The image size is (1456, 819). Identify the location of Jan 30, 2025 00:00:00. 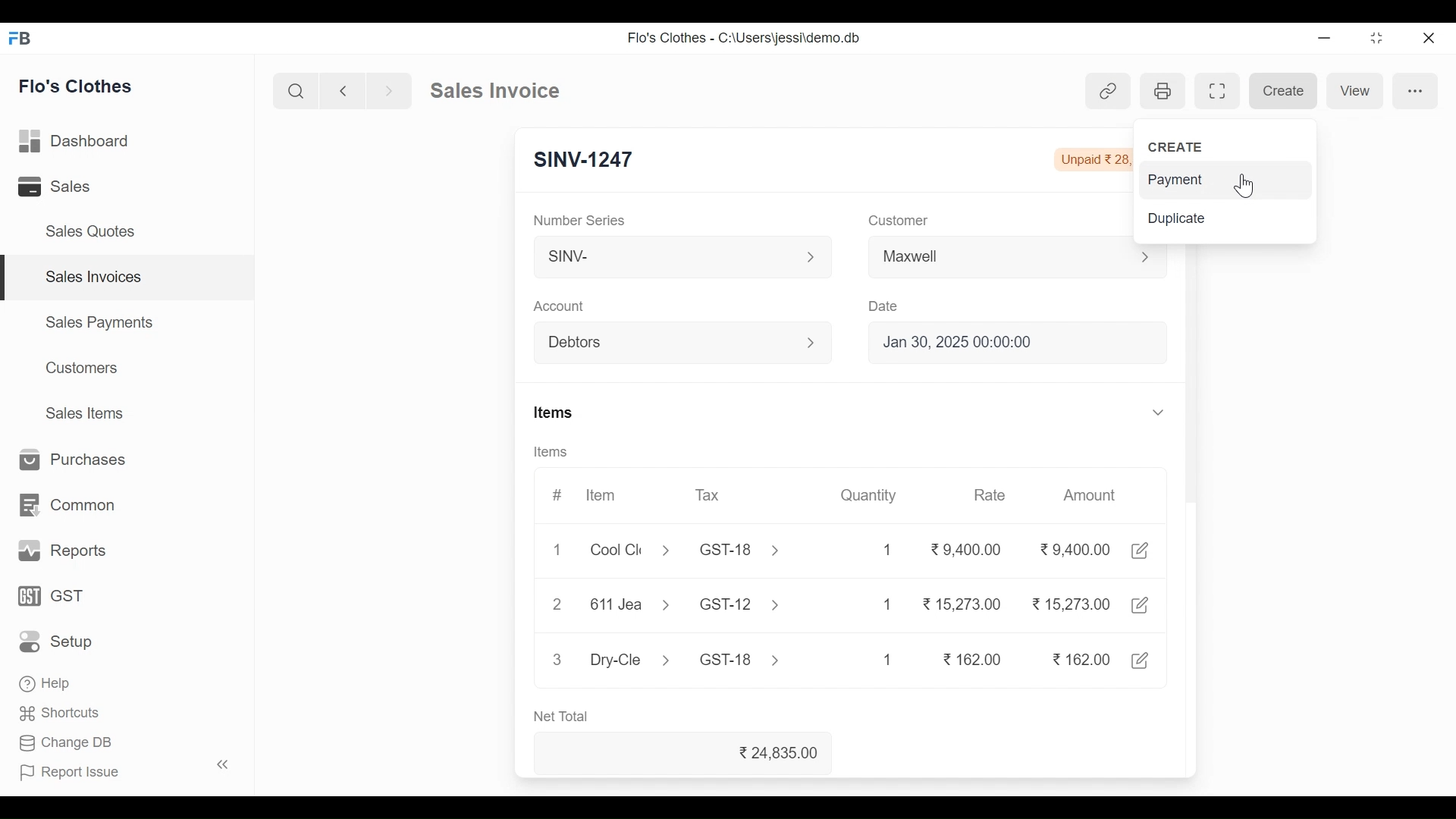
(1020, 341).